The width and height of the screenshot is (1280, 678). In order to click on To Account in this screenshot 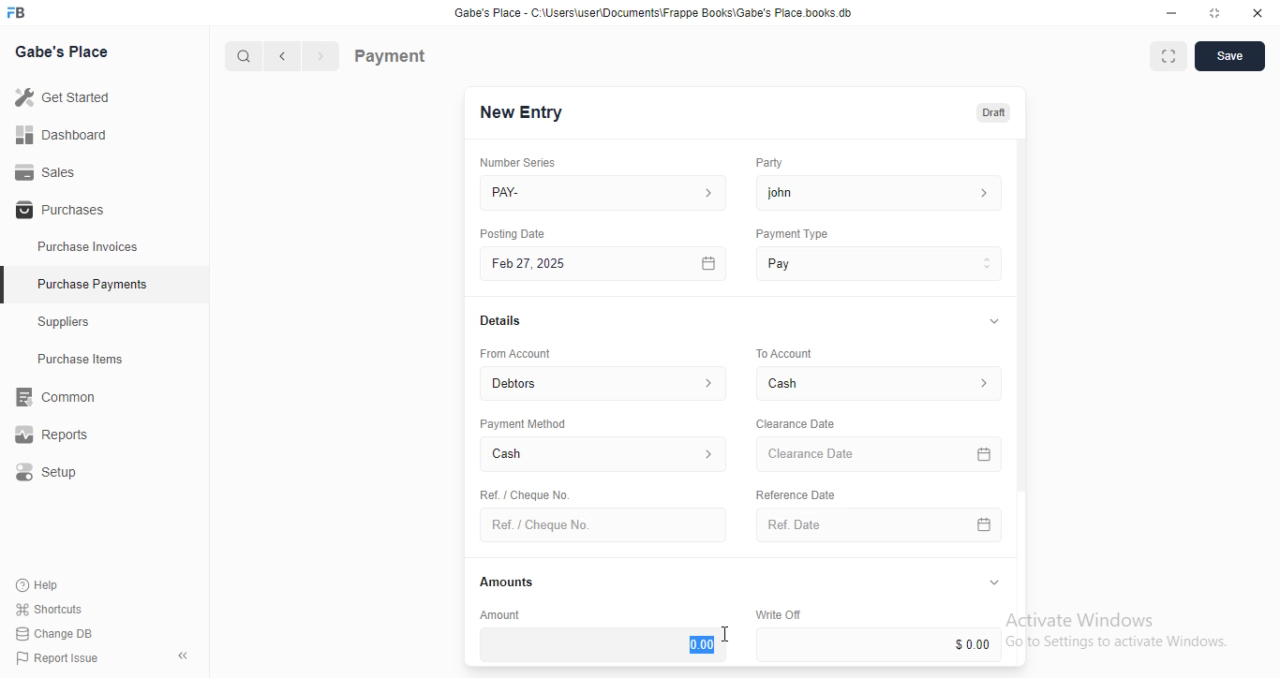, I will do `click(882, 383)`.